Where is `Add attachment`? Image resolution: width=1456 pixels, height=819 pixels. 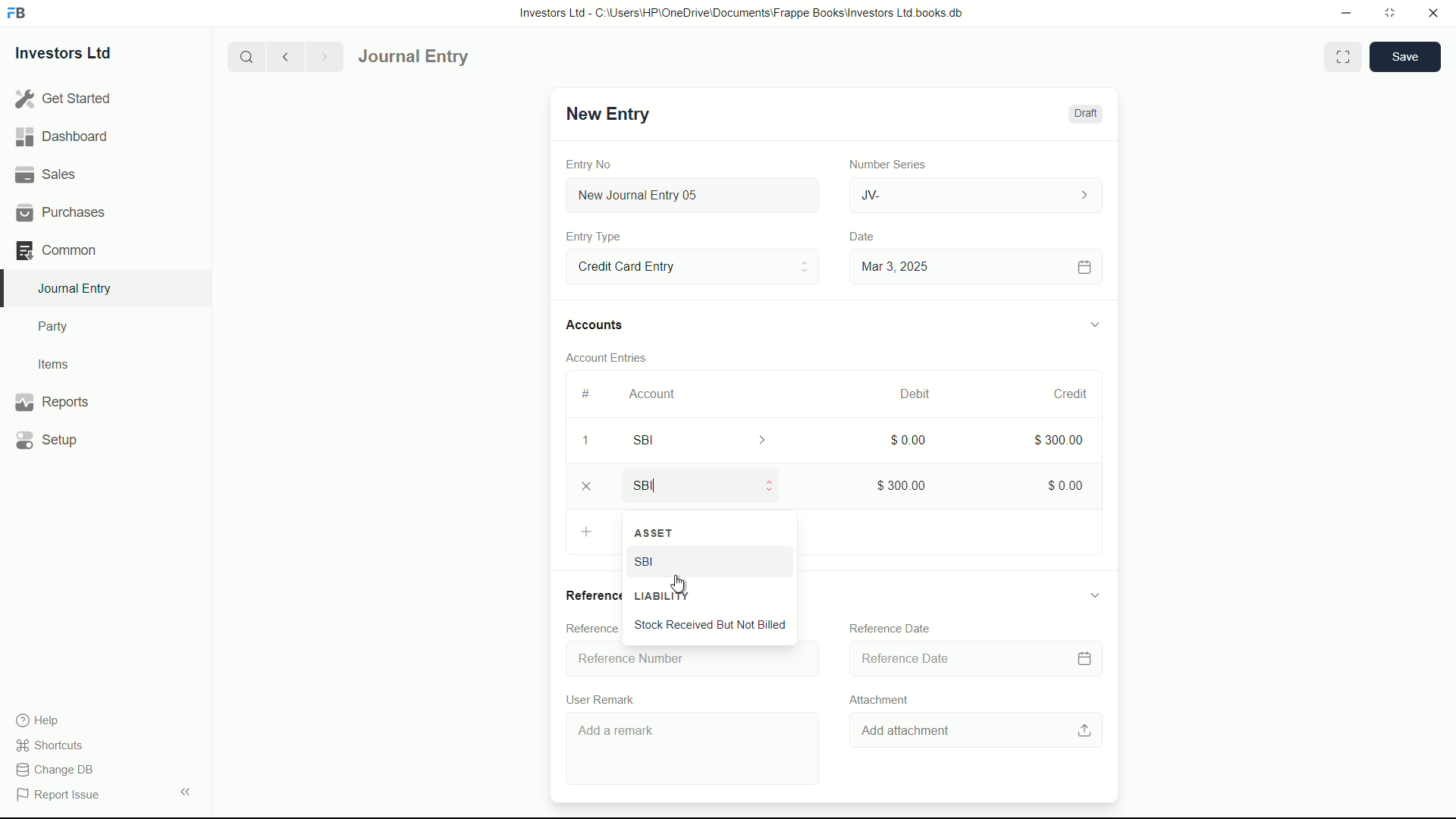 Add attachment is located at coordinates (977, 731).